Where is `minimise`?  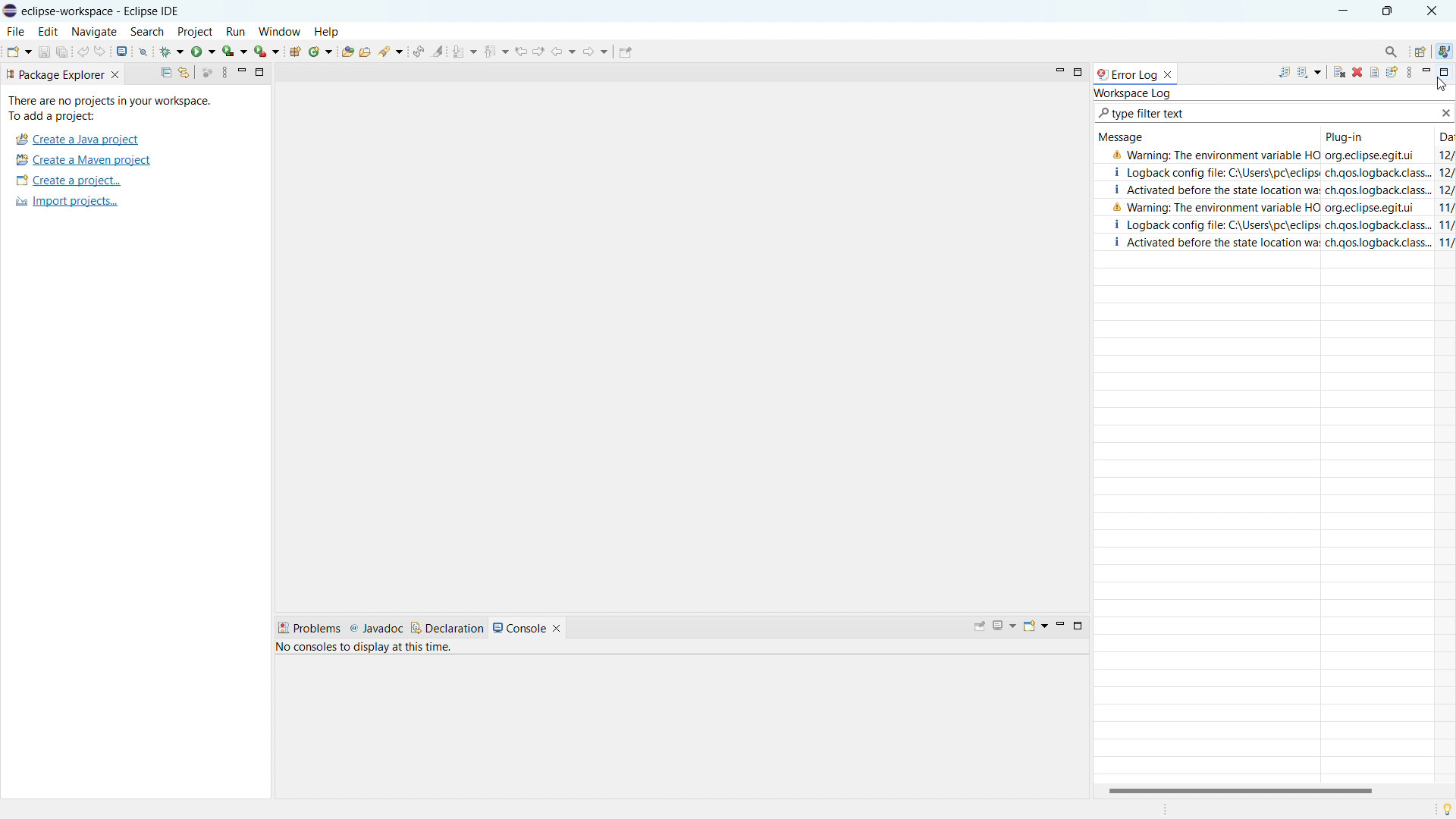
minimise is located at coordinates (1341, 10).